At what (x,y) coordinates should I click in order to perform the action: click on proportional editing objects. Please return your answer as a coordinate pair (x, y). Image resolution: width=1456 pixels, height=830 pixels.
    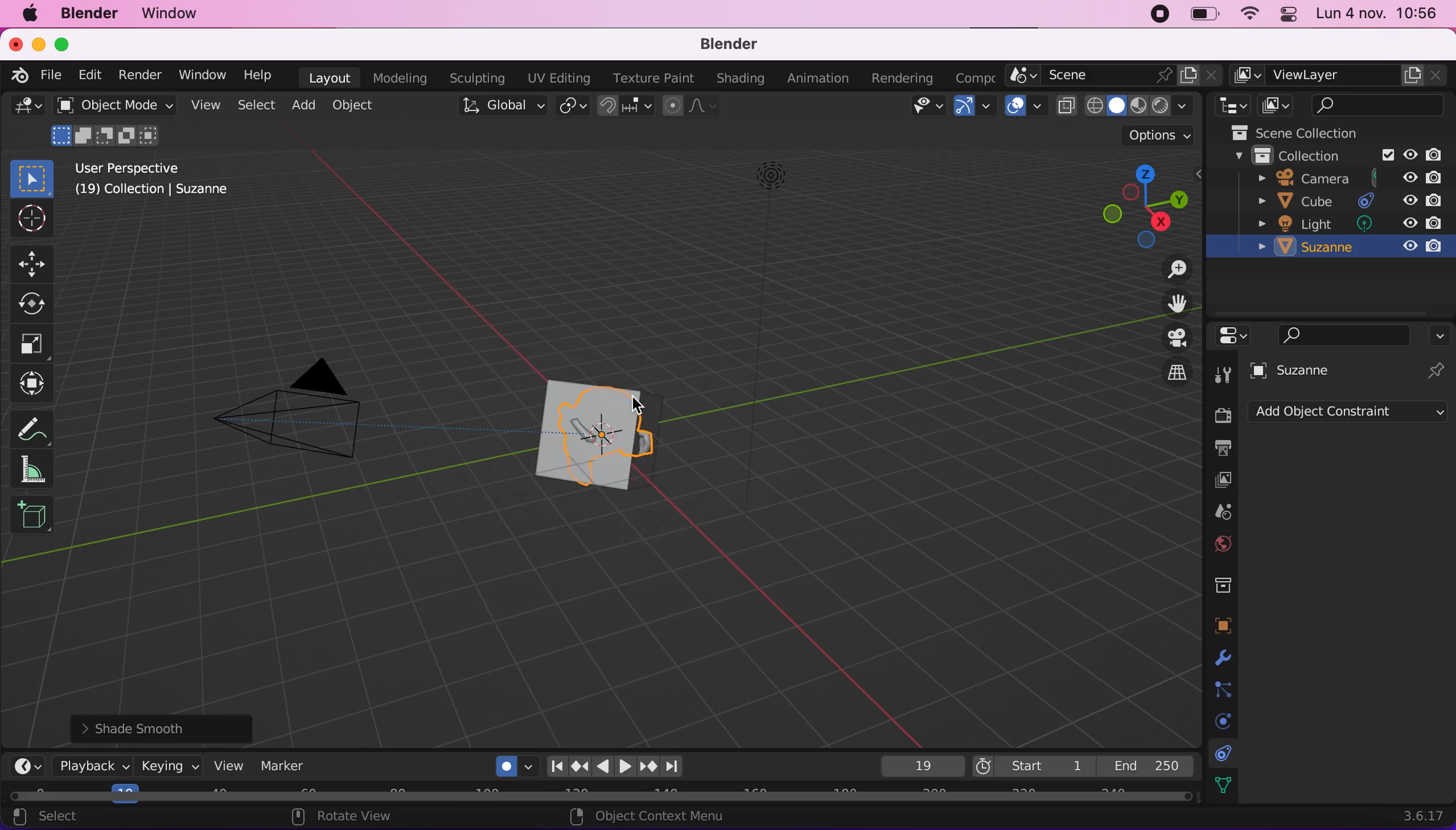
    Looking at the image, I should click on (689, 107).